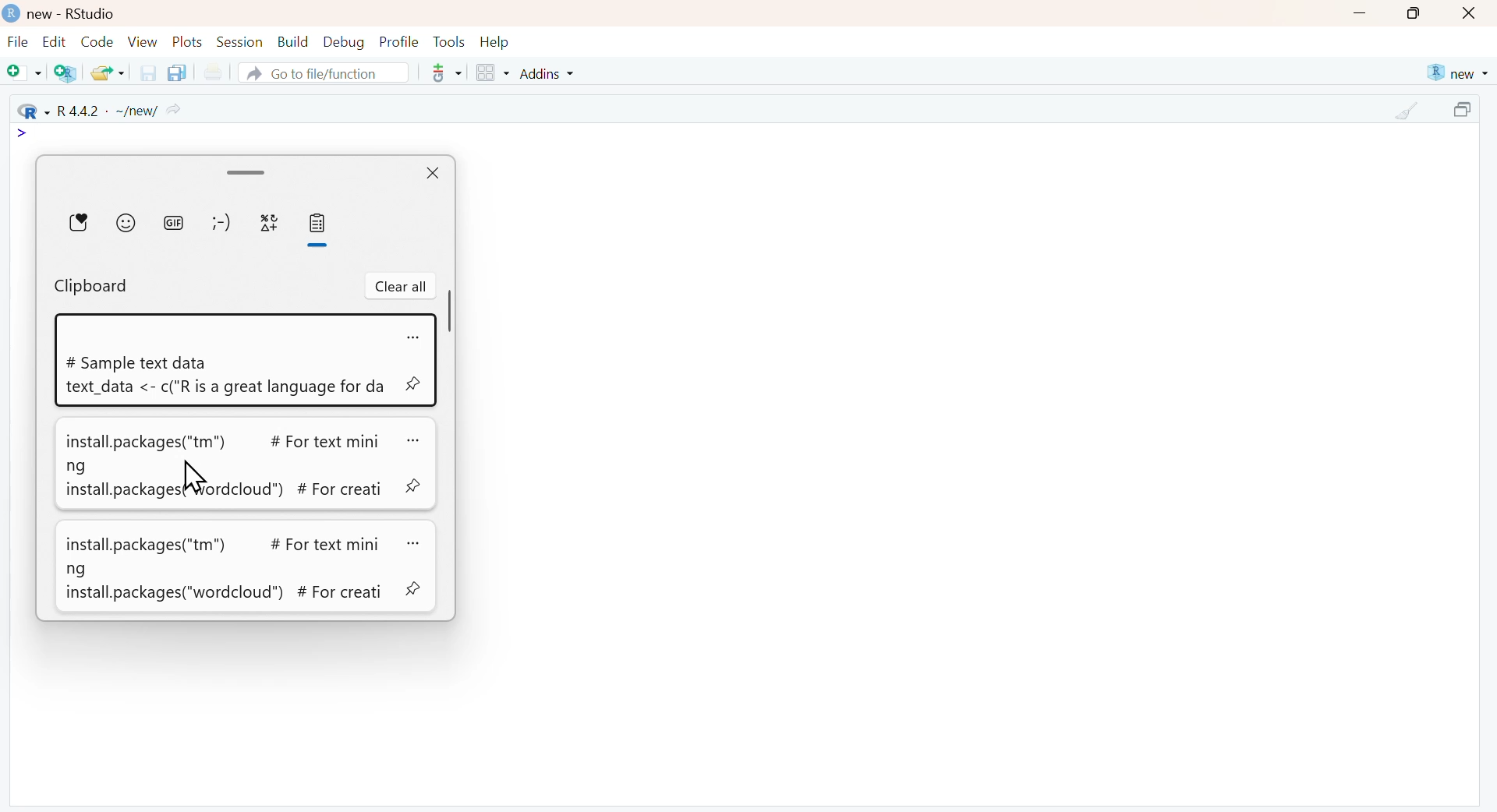 The height and width of the screenshot is (812, 1497). I want to click on Plots, so click(189, 42).